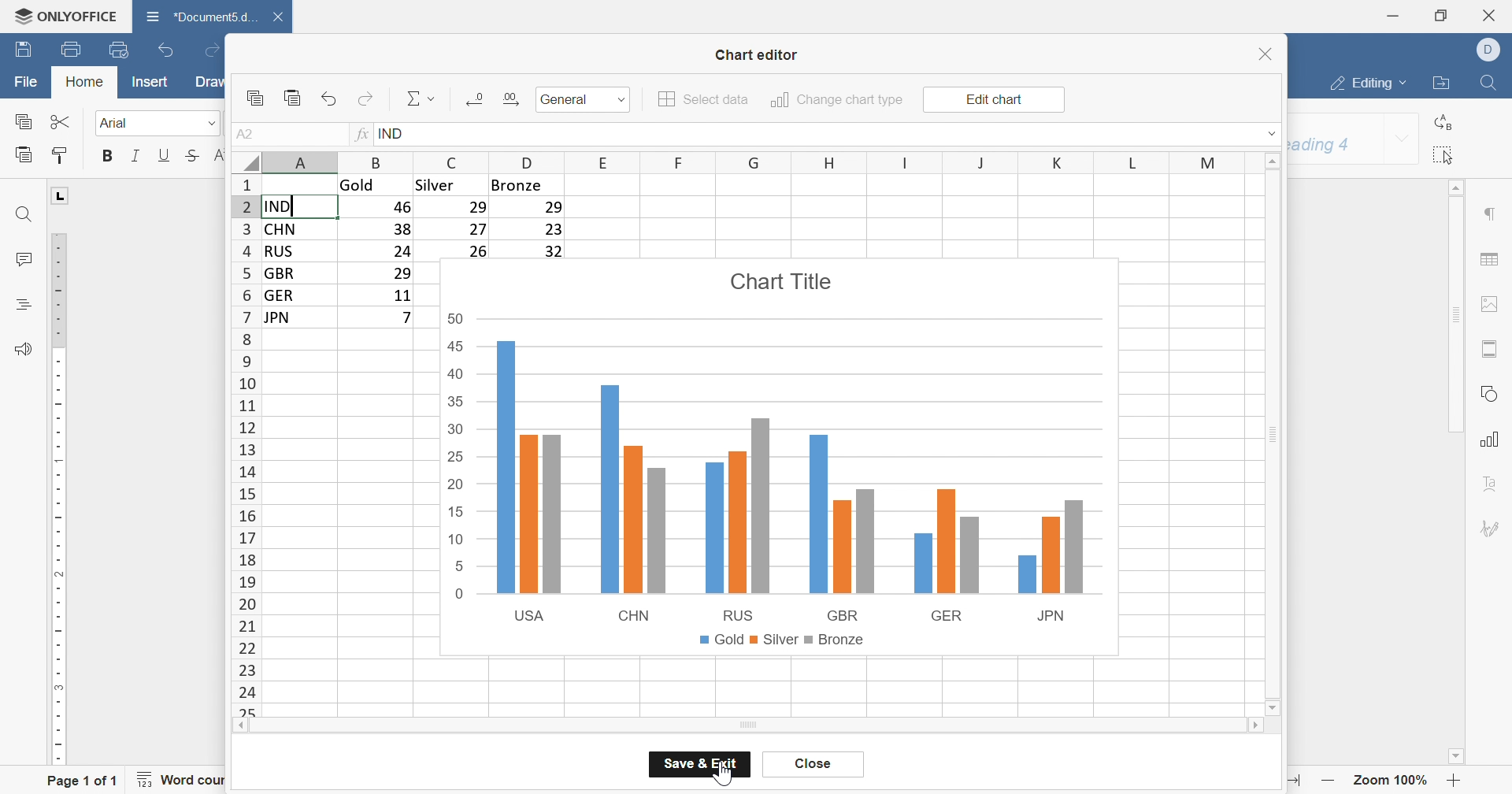 The width and height of the screenshot is (1512, 794). I want to click on quick print, so click(118, 49).